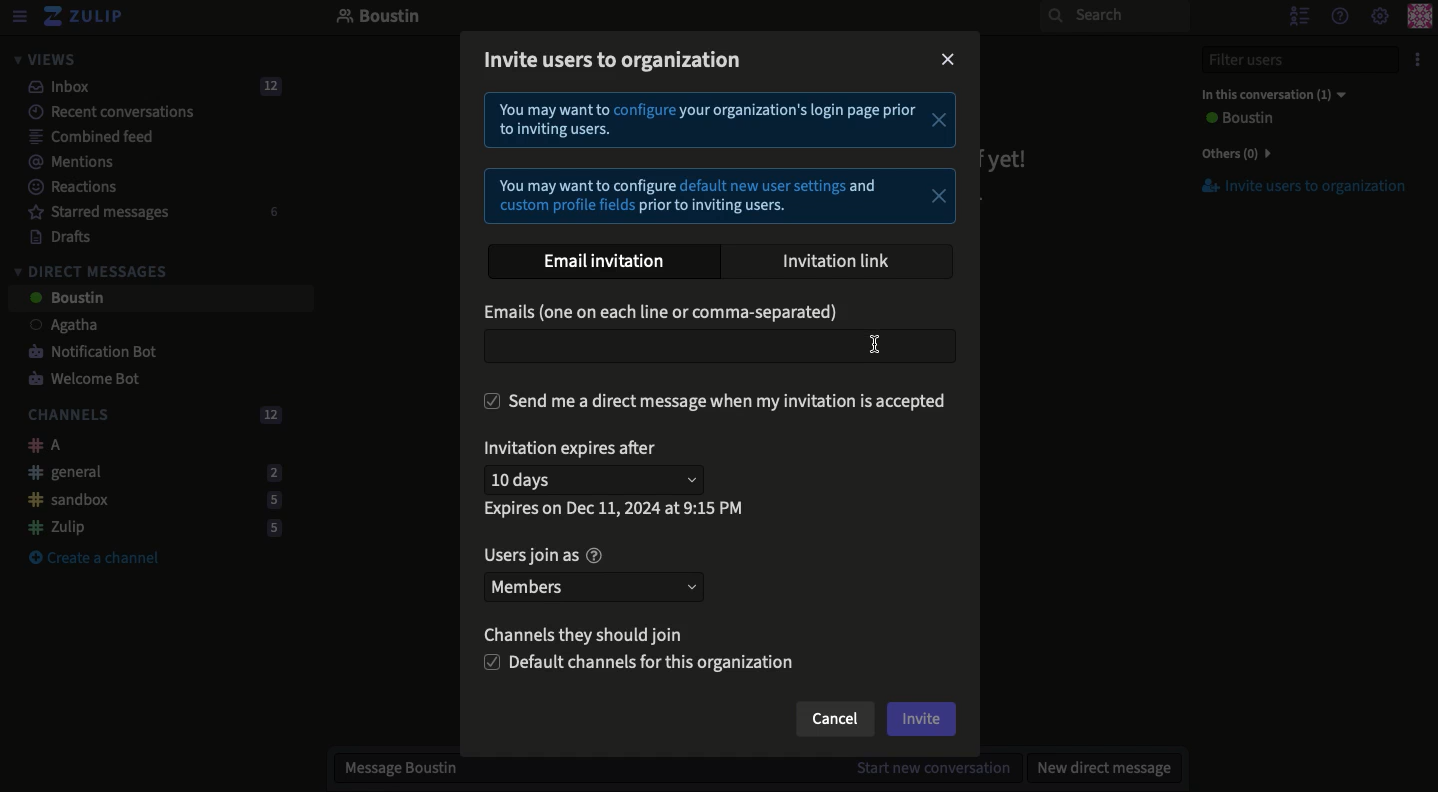  Describe the element at coordinates (1380, 17) in the screenshot. I see `Settings` at that location.